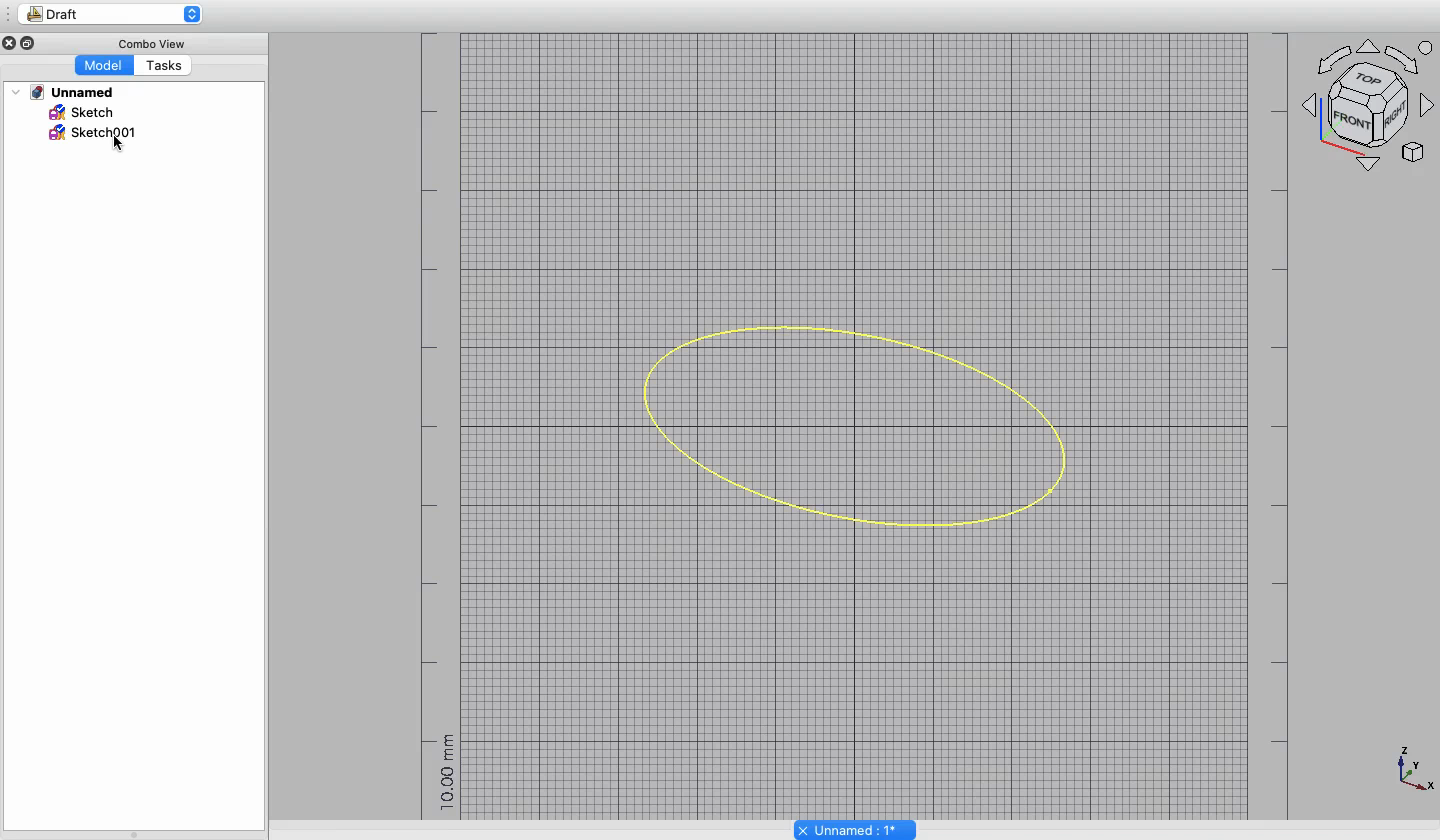  What do you see at coordinates (120, 150) in the screenshot?
I see `cursor` at bounding box center [120, 150].